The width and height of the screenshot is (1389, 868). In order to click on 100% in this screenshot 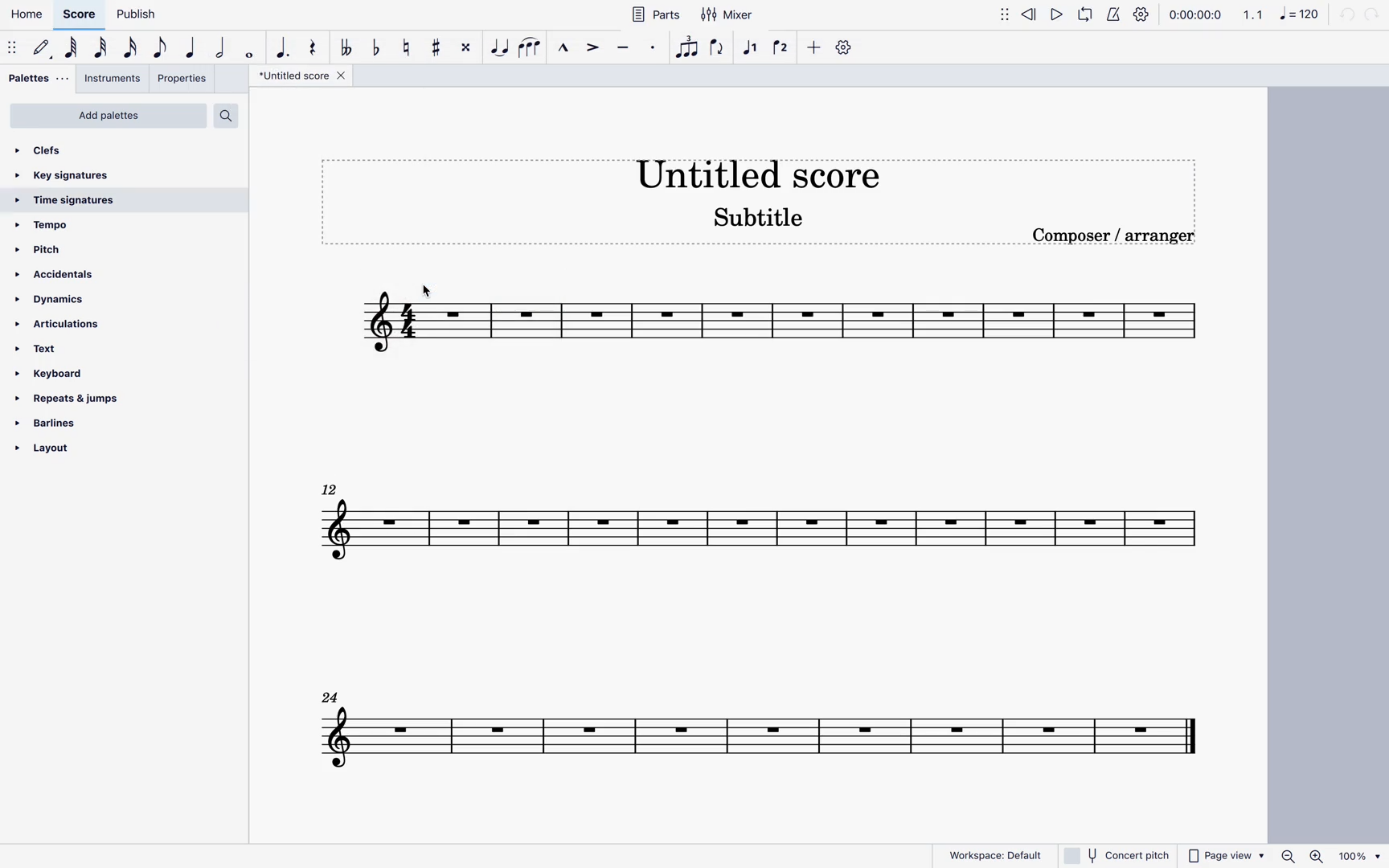, I will do `click(1359, 855)`.